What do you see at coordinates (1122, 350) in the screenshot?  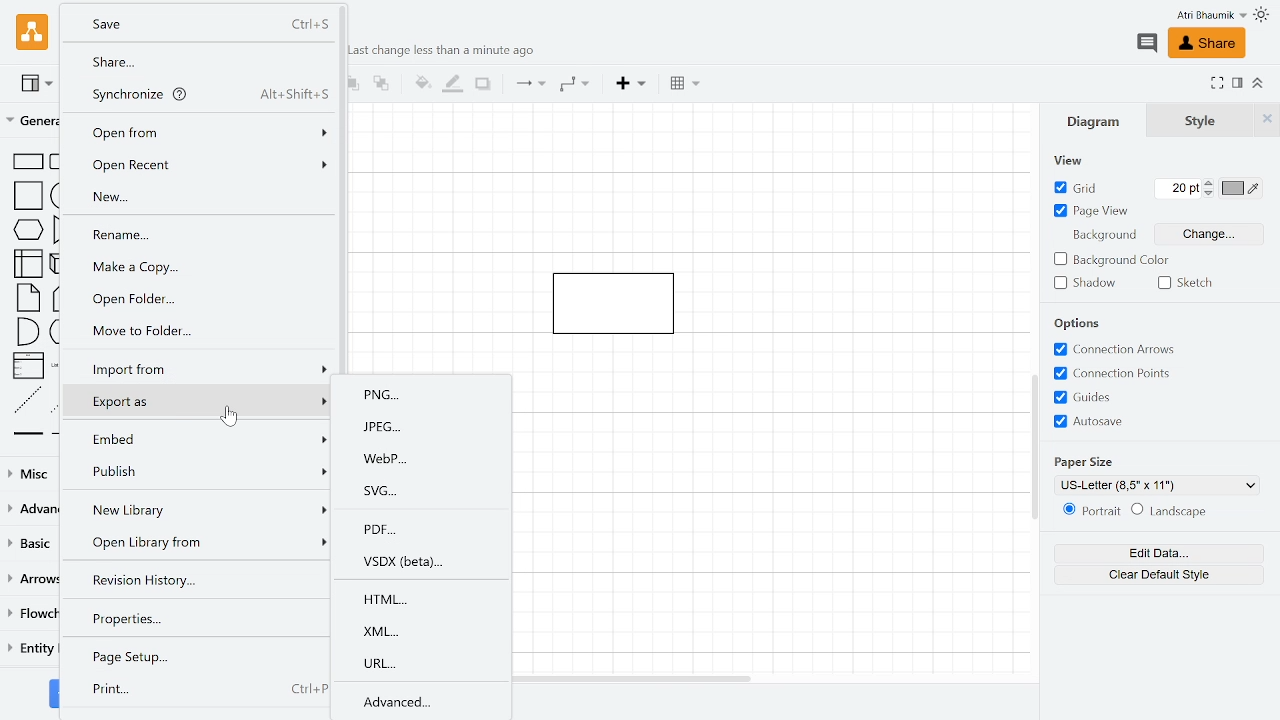 I see `Connection arrows` at bounding box center [1122, 350].